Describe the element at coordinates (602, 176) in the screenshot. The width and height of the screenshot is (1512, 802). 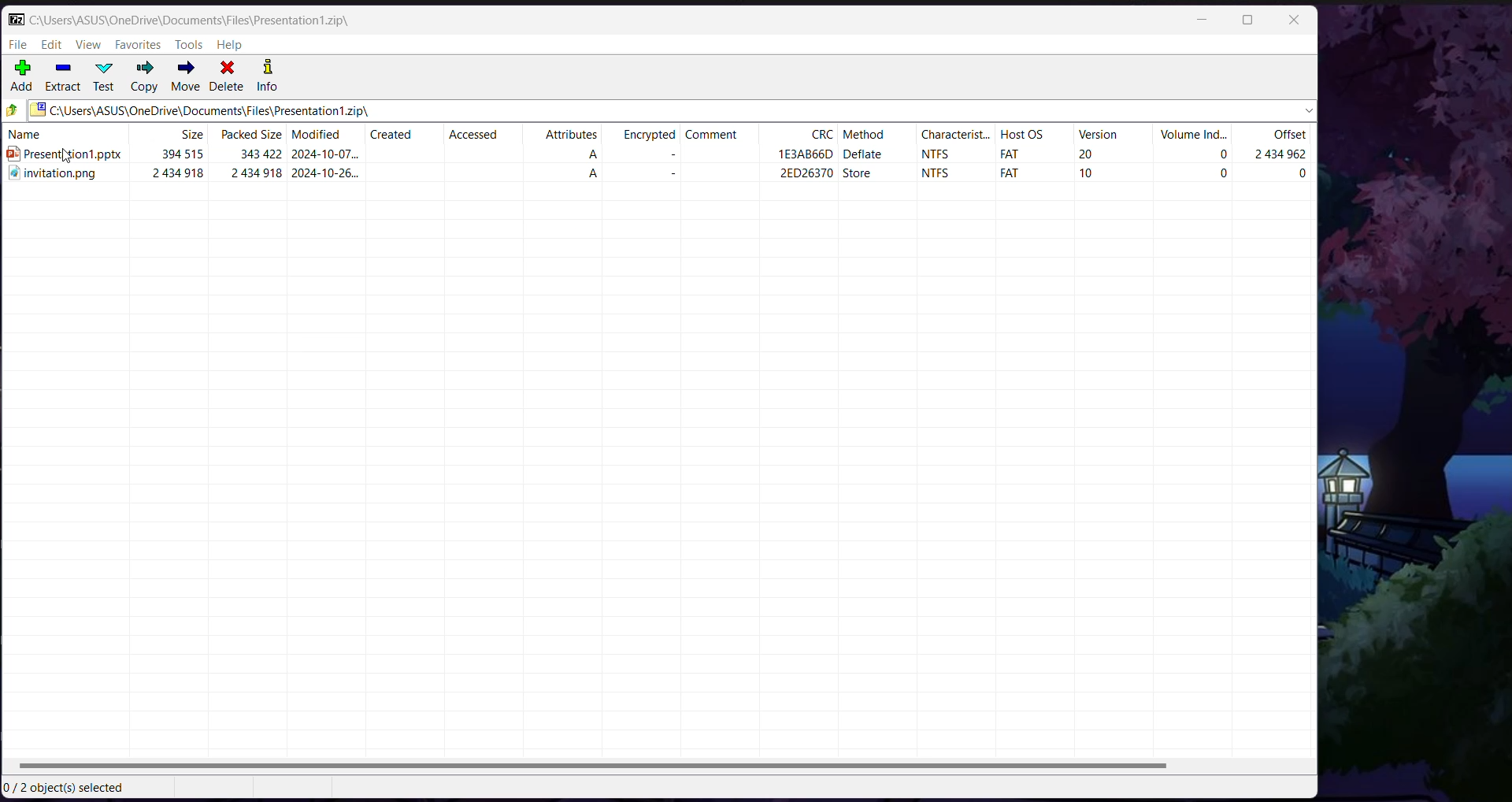
I see `A` at that location.